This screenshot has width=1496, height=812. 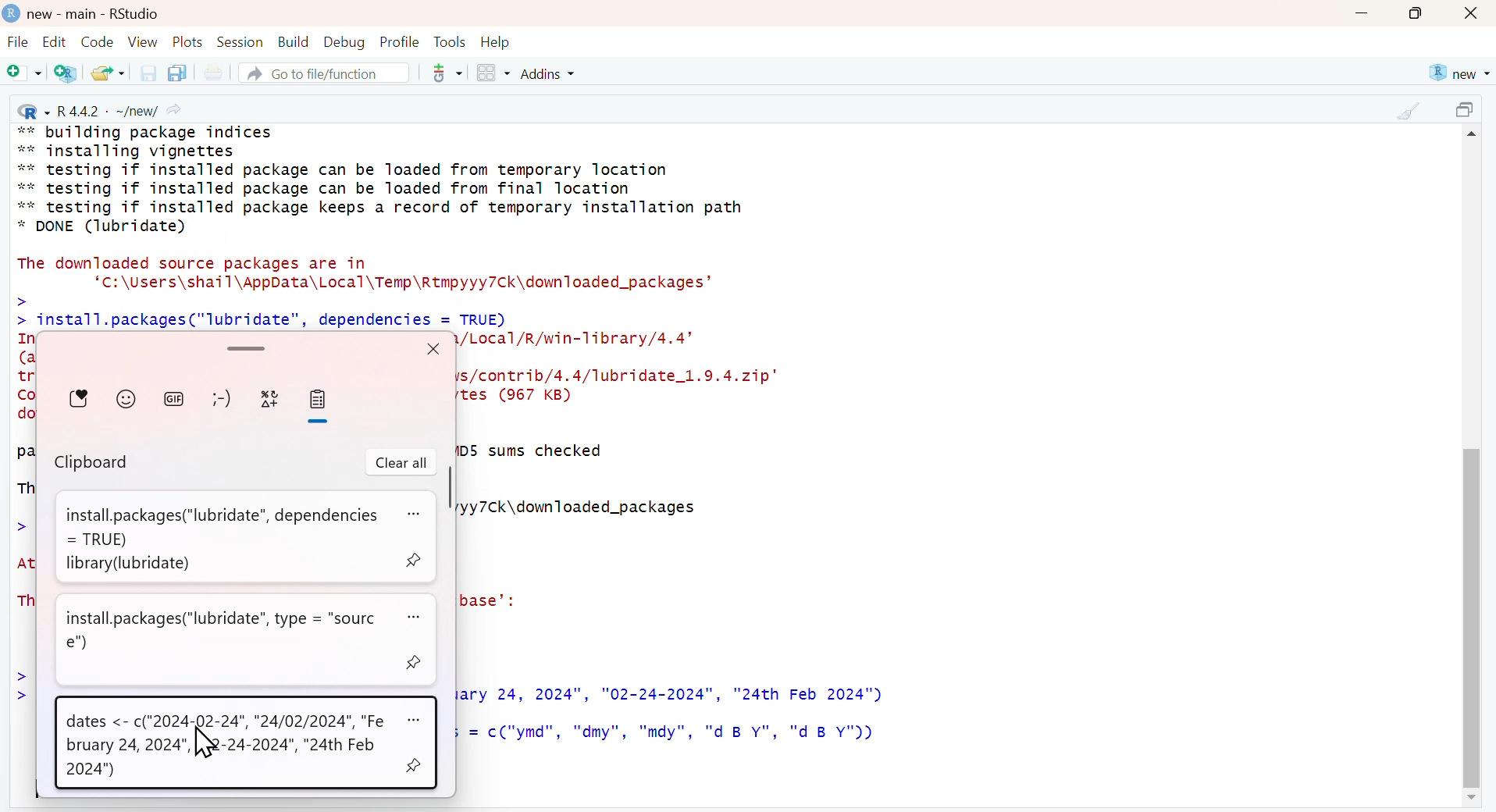 What do you see at coordinates (400, 41) in the screenshot?
I see `Profile` at bounding box center [400, 41].